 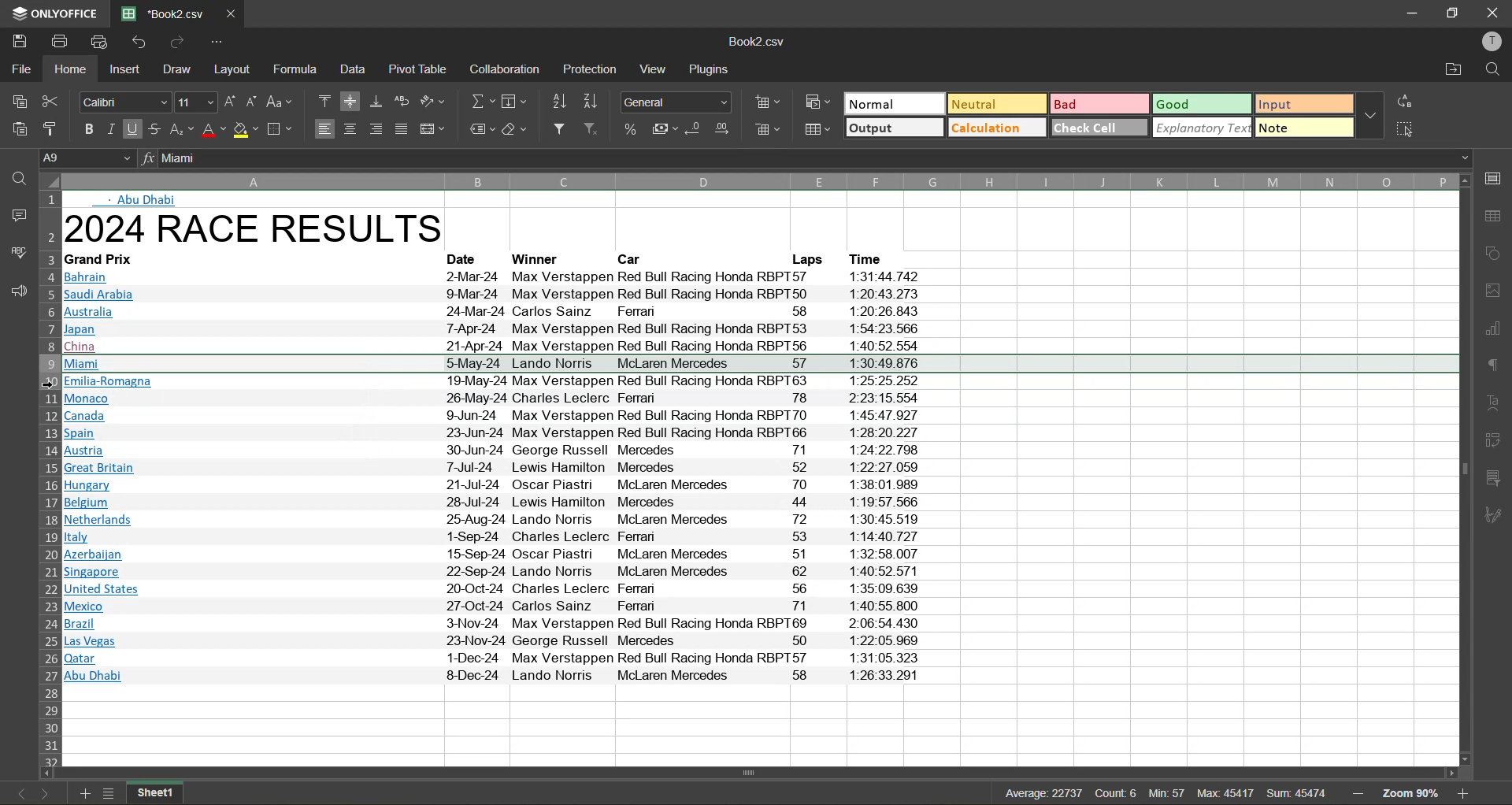 I want to click on Laps, so click(x=807, y=258).